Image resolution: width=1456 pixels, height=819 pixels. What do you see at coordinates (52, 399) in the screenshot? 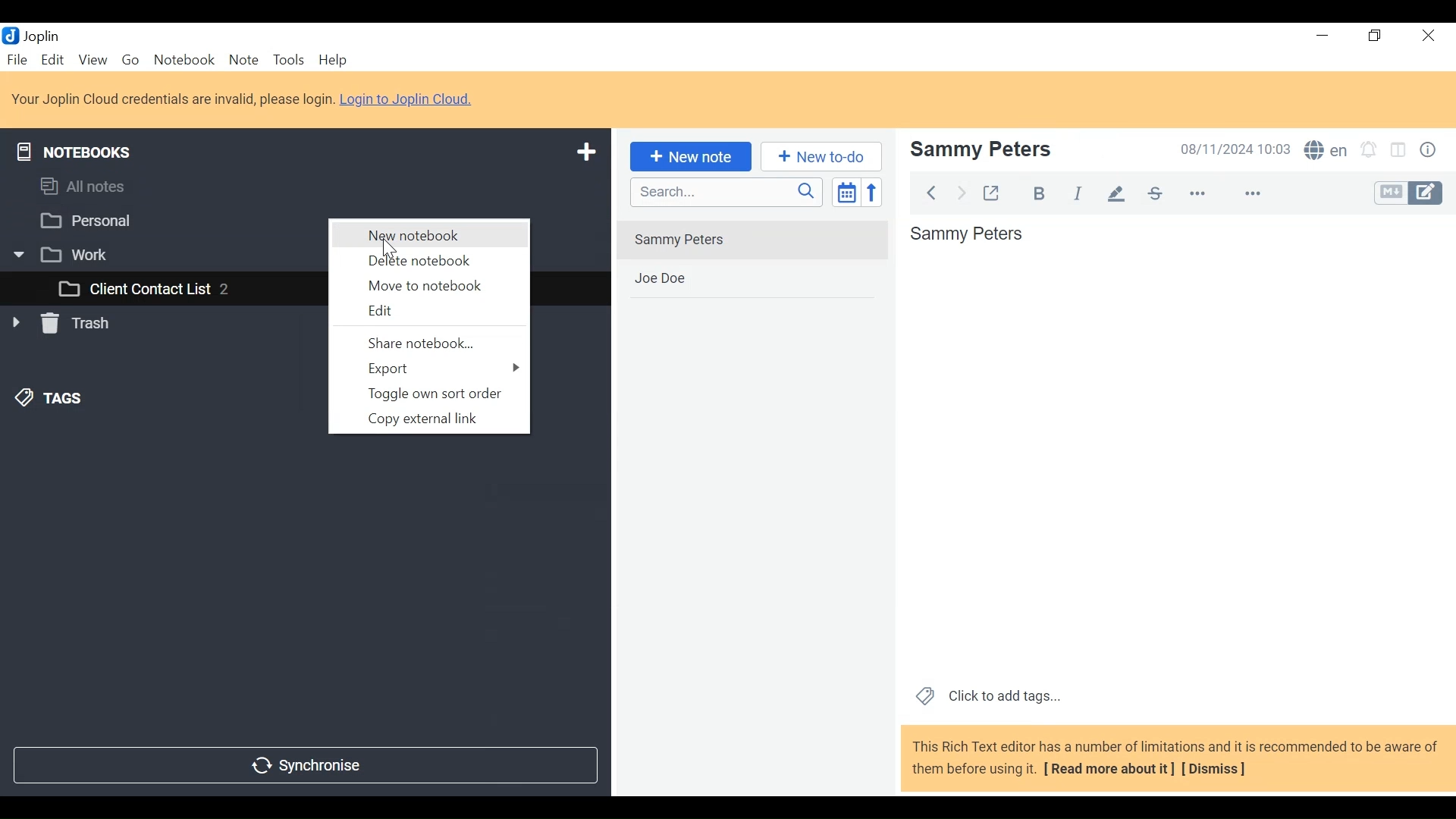
I see ` Tacs` at bounding box center [52, 399].